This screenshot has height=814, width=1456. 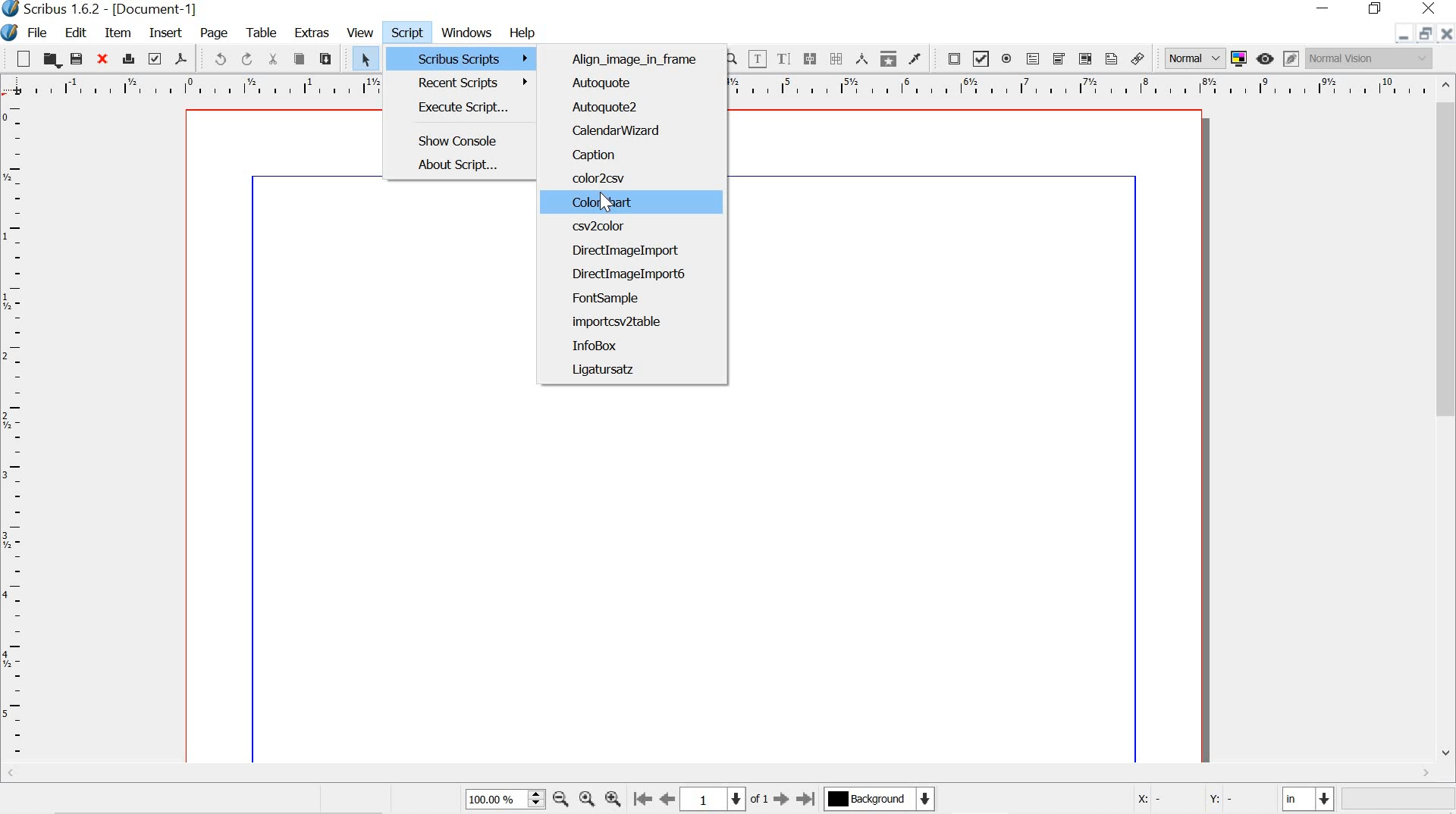 What do you see at coordinates (1426, 8) in the screenshot?
I see `close` at bounding box center [1426, 8].